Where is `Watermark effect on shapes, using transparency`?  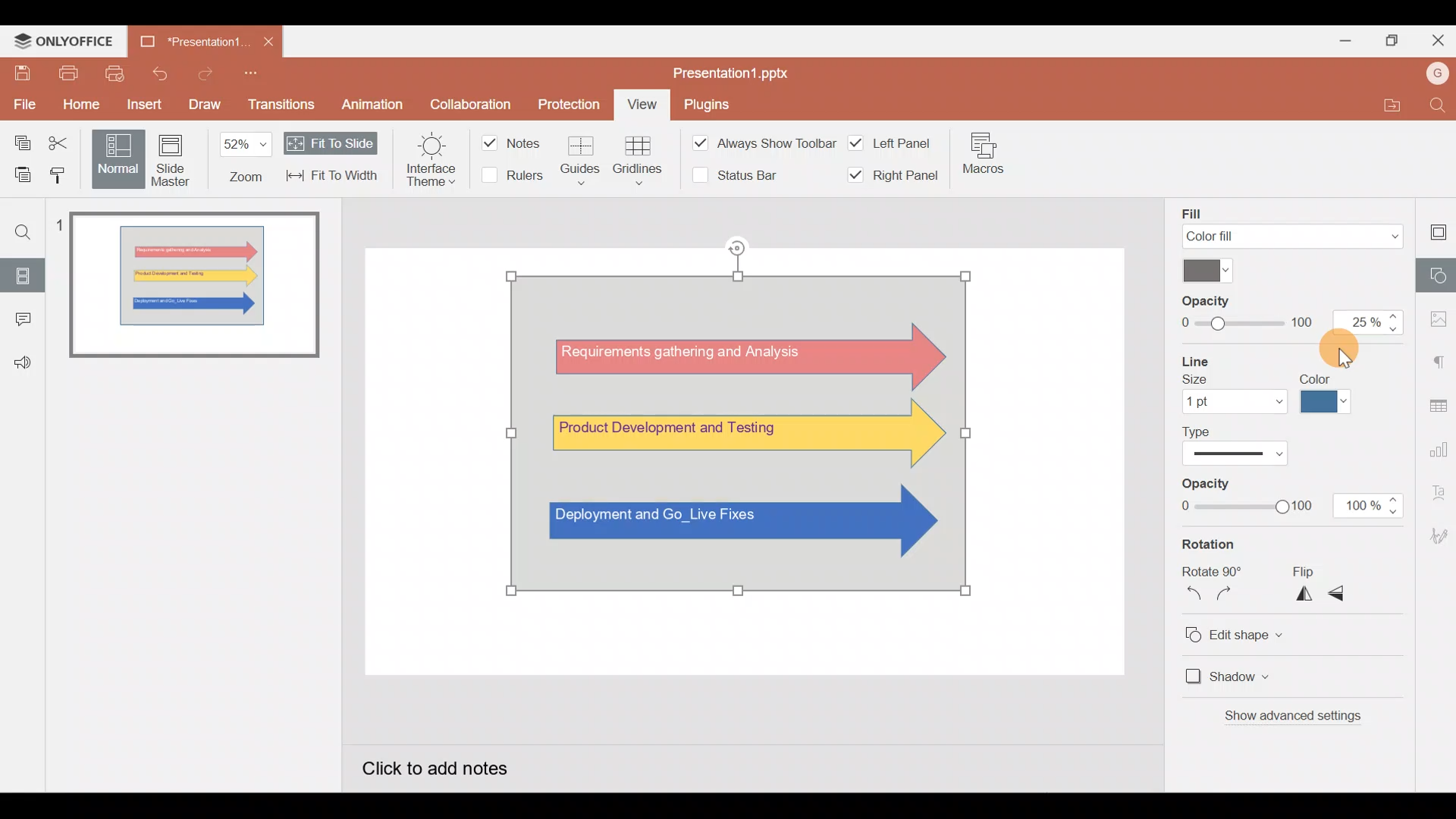
Watermark effect on shapes, using transparency is located at coordinates (740, 436).